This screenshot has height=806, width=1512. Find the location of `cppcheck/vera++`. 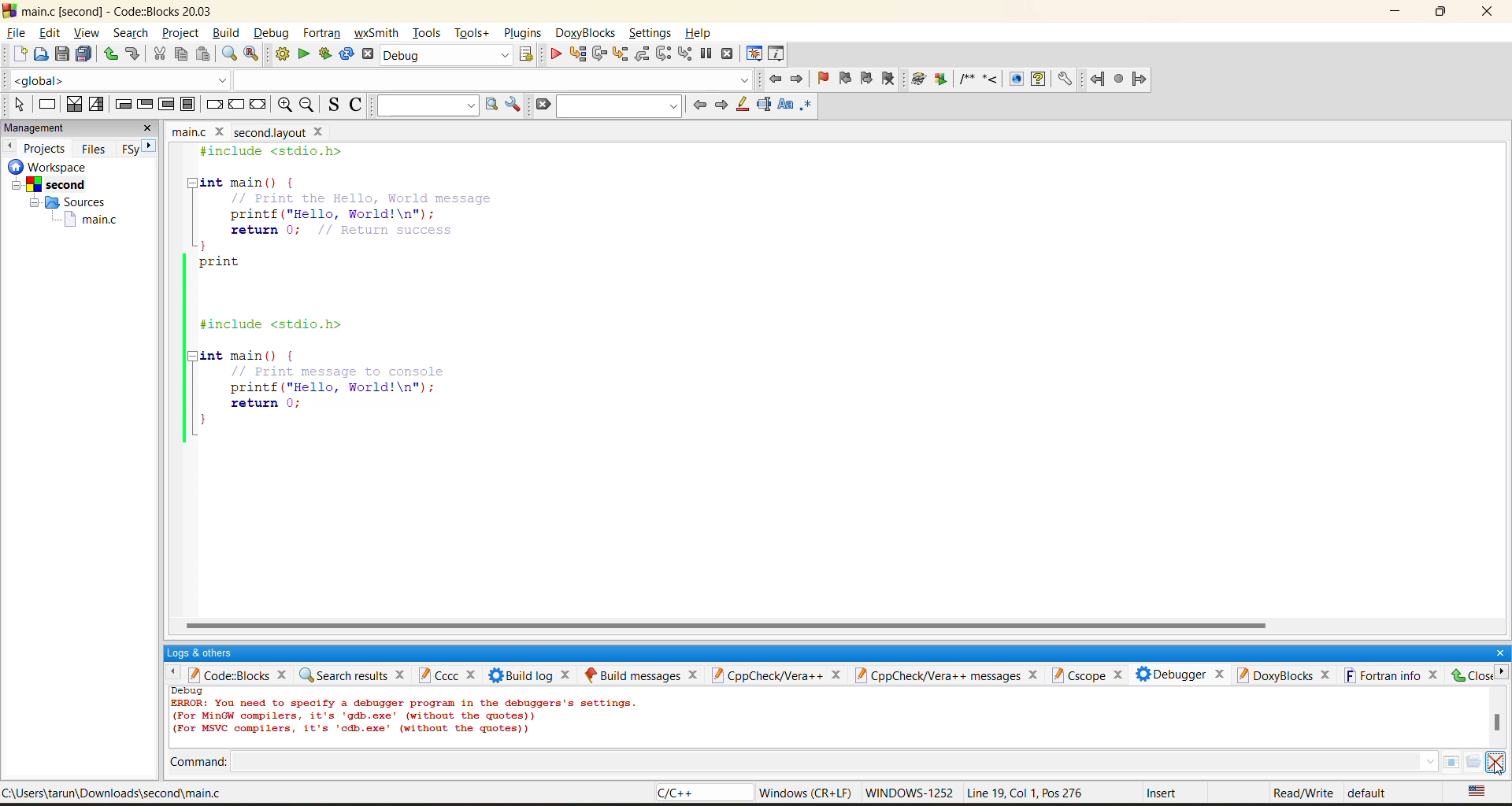

cppcheck/vera++ is located at coordinates (784, 674).